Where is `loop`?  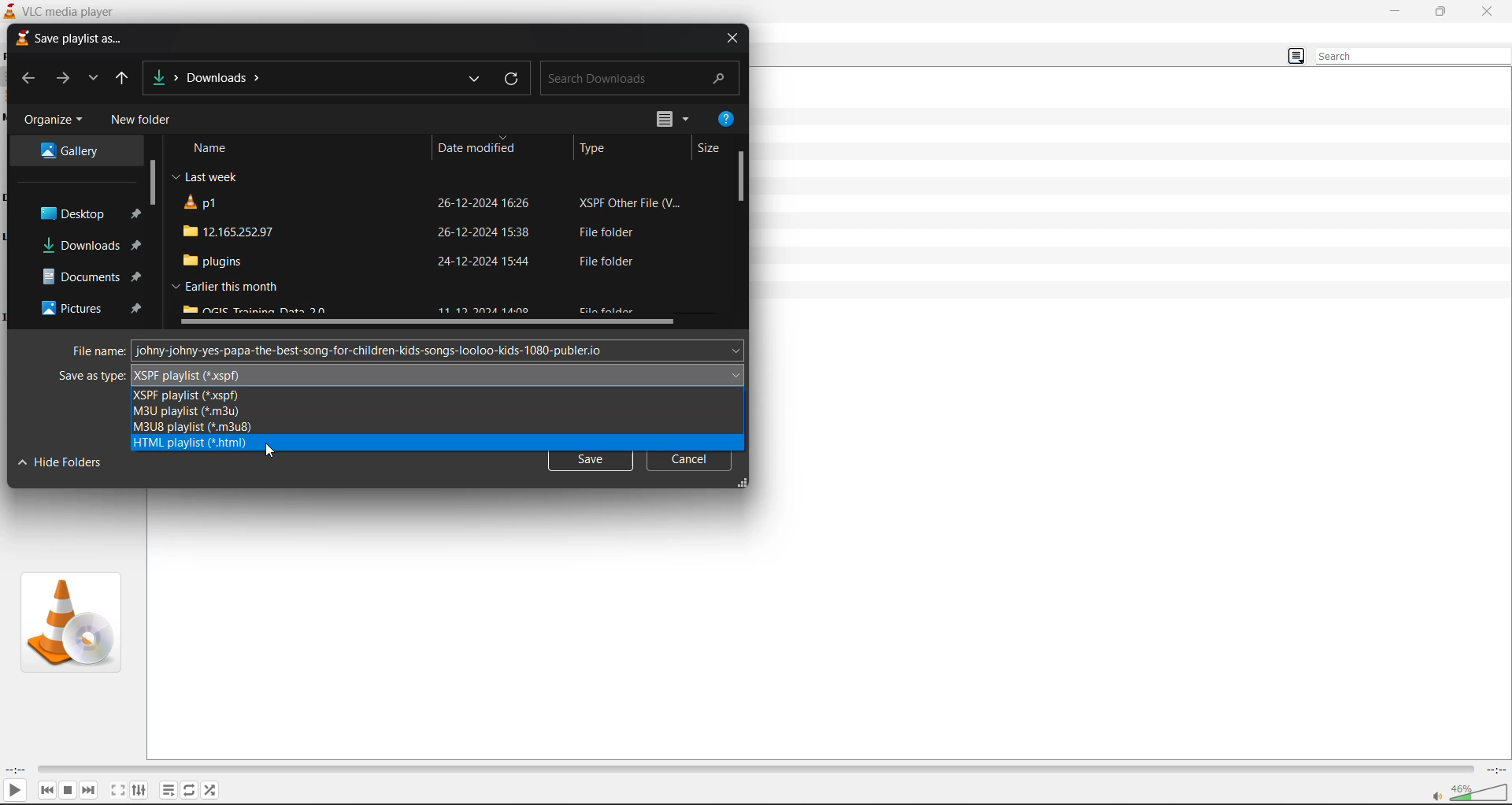 loop is located at coordinates (190, 791).